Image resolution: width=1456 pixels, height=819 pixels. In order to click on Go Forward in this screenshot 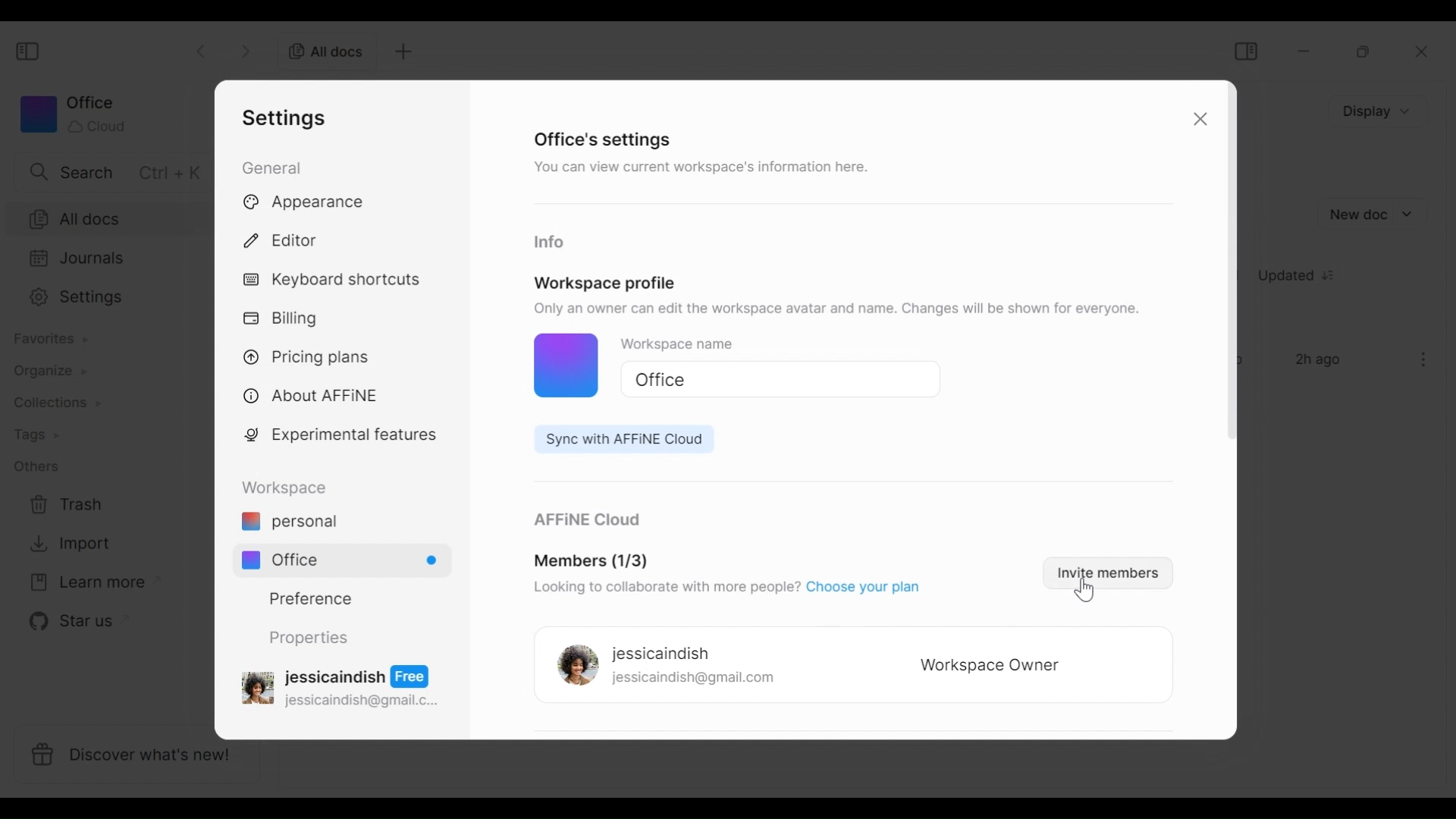, I will do `click(246, 49)`.